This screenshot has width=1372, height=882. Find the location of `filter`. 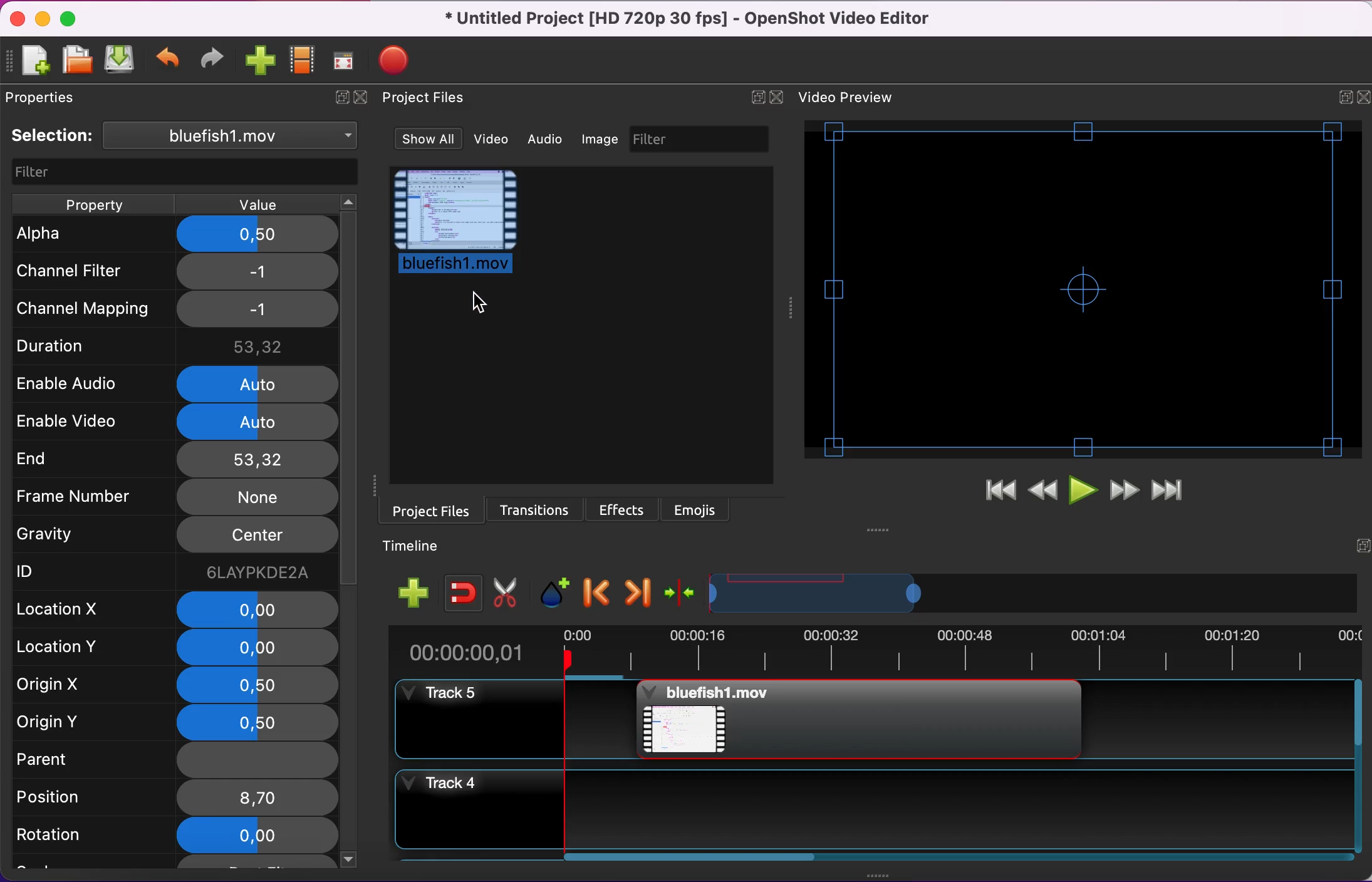

filter is located at coordinates (703, 140).